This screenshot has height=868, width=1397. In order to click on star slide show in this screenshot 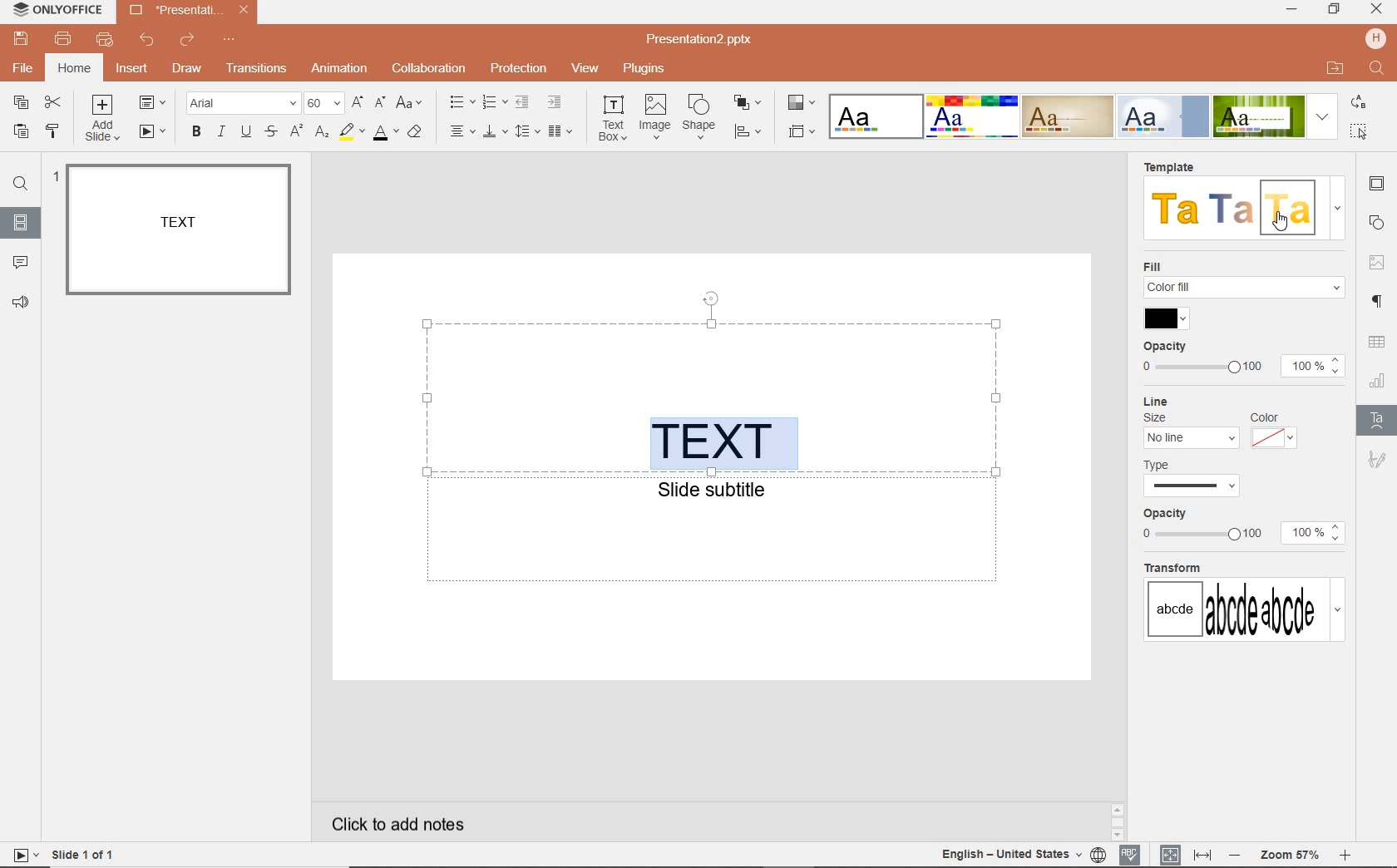, I will do `click(22, 854)`.